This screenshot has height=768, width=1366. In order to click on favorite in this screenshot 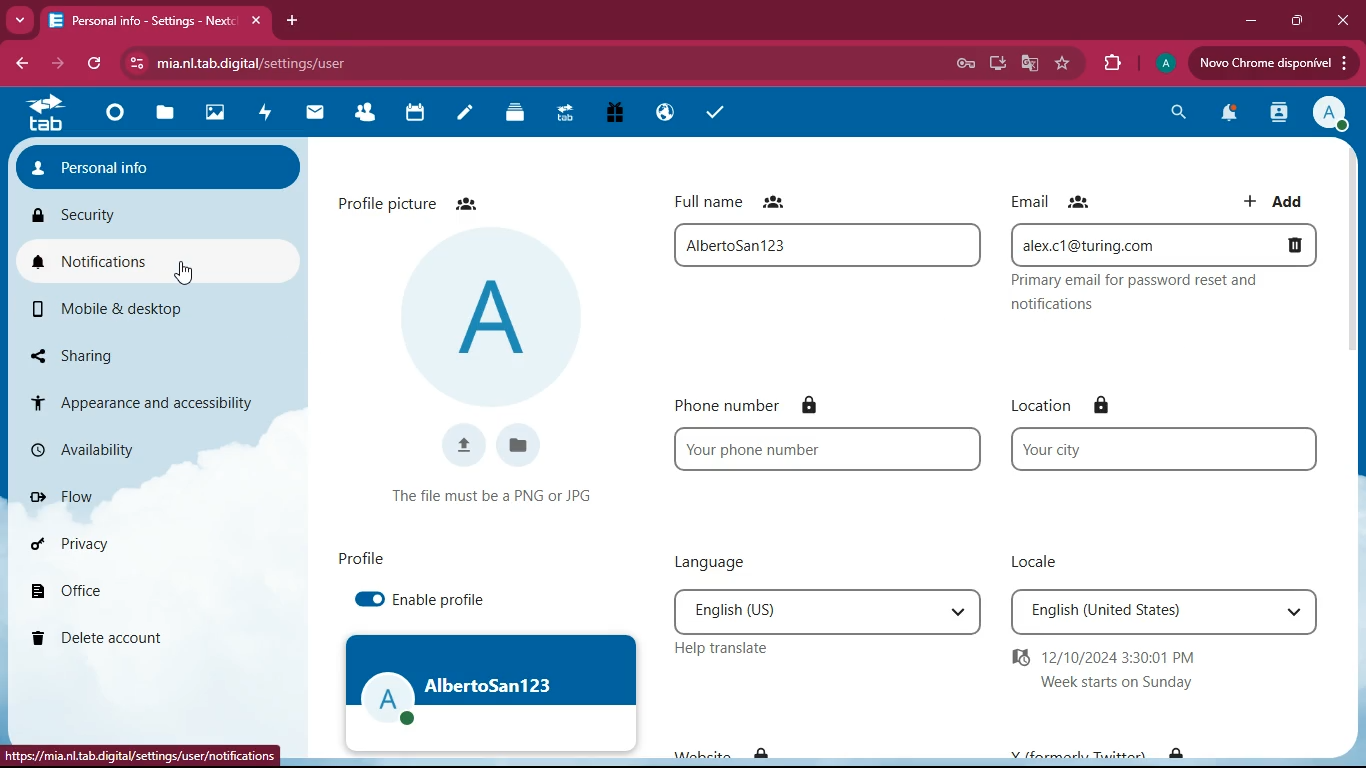, I will do `click(1062, 63)`.